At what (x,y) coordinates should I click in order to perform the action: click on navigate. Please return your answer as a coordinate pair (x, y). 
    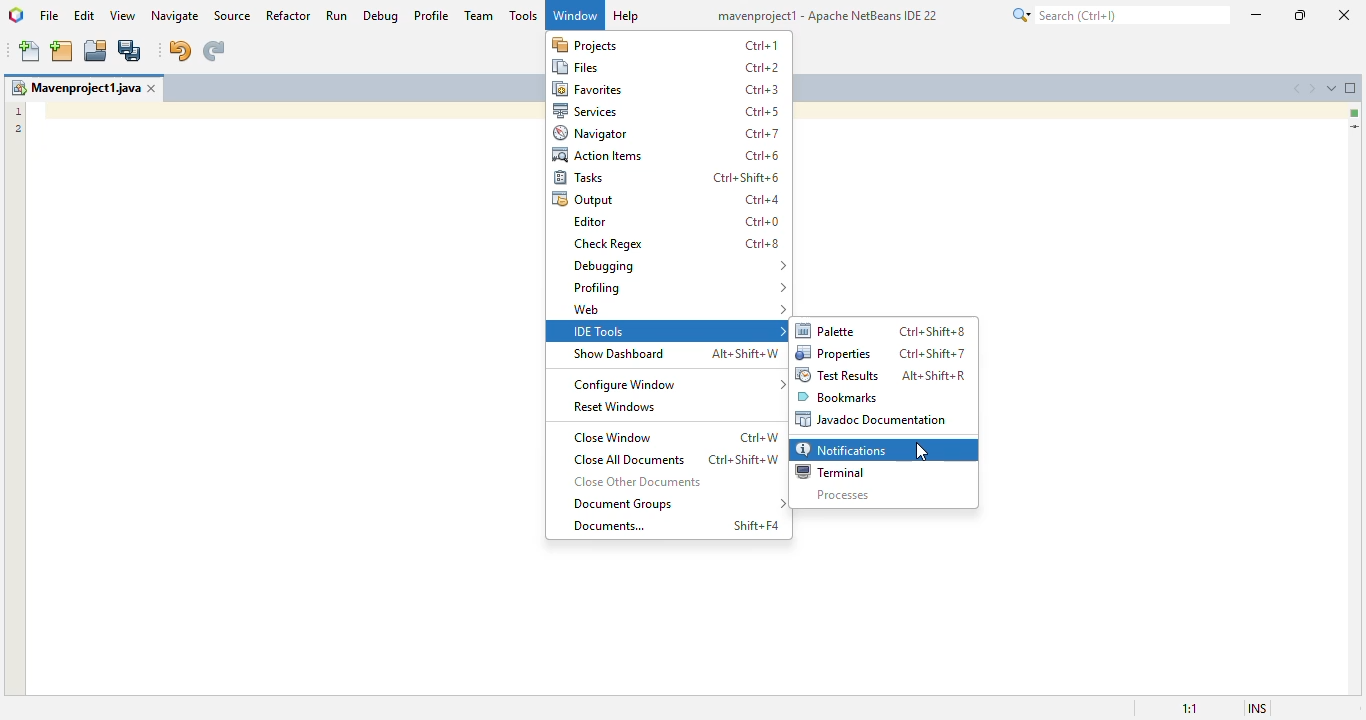
    Looking at the image, I should click on (177, 15).